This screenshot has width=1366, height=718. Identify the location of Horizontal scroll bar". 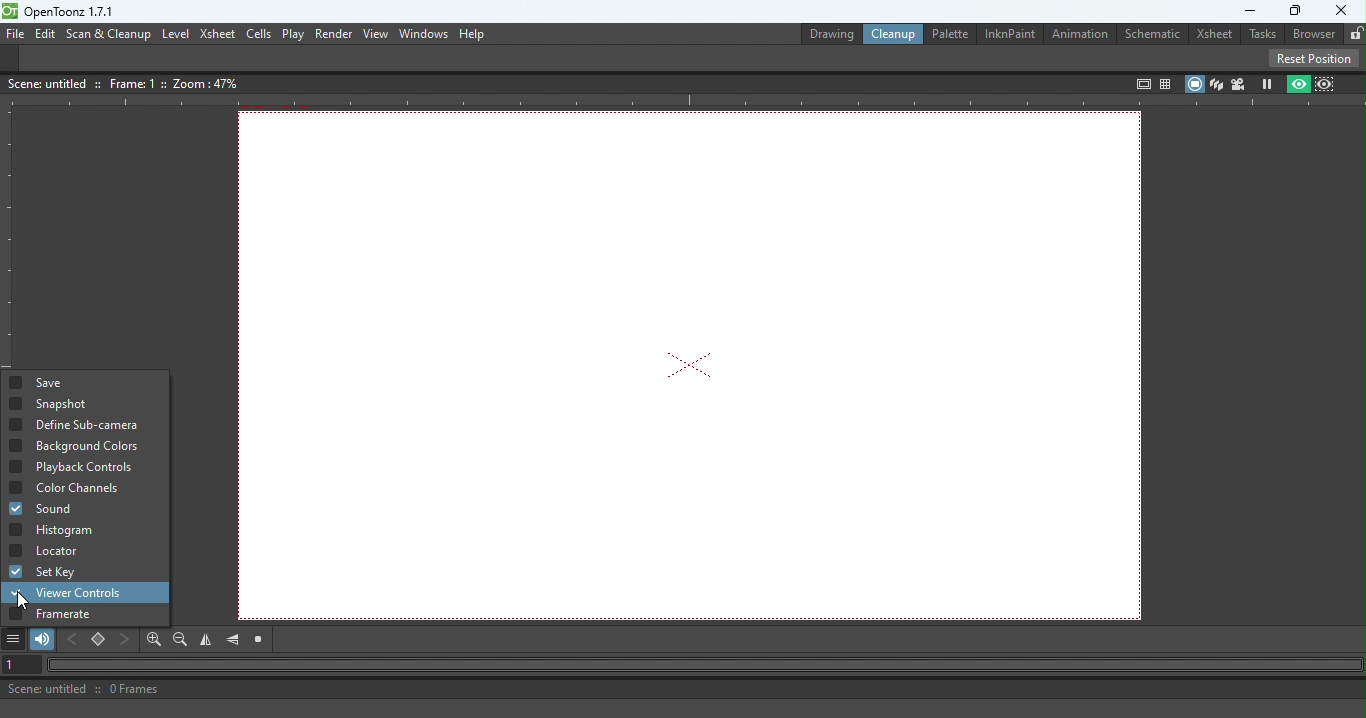
(700, 665).